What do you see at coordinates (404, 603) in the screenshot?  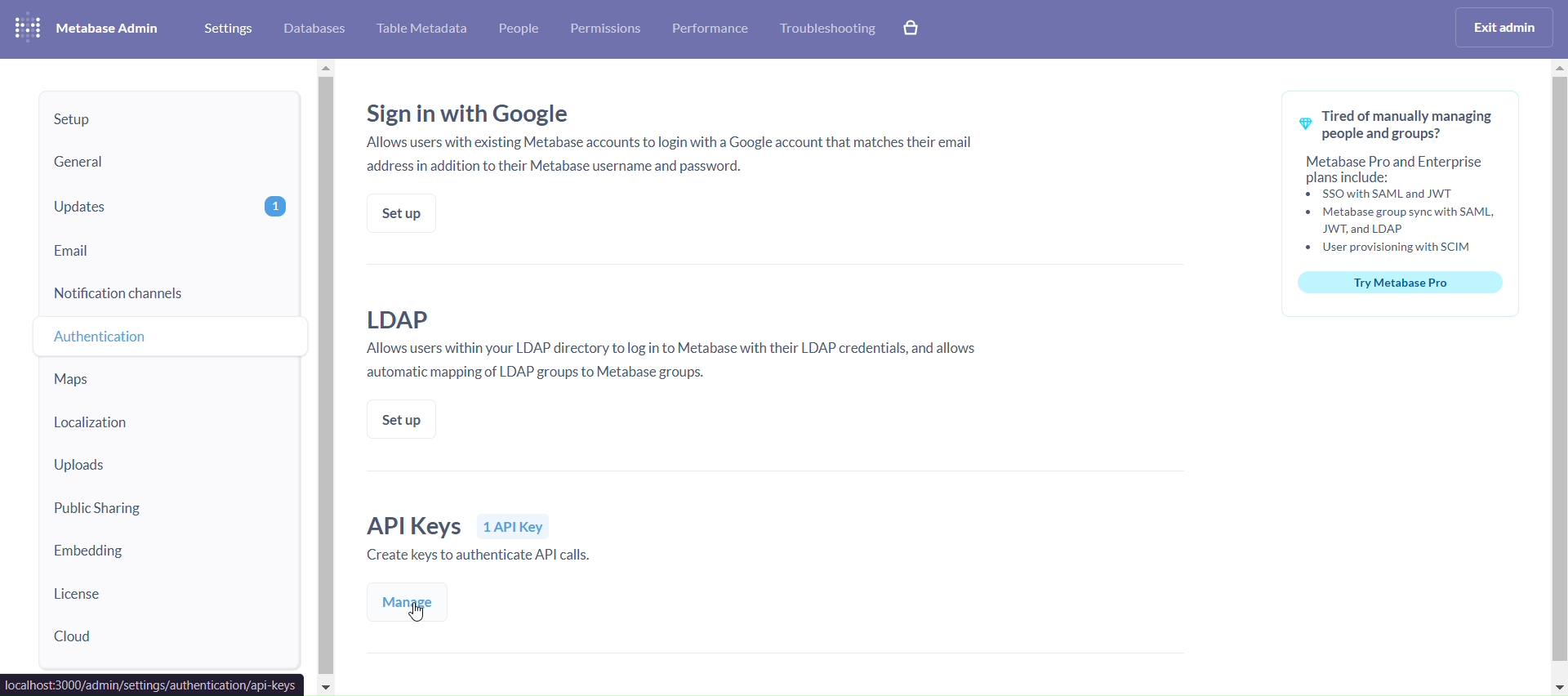 I see `manage` at bounding box center [404, 603].